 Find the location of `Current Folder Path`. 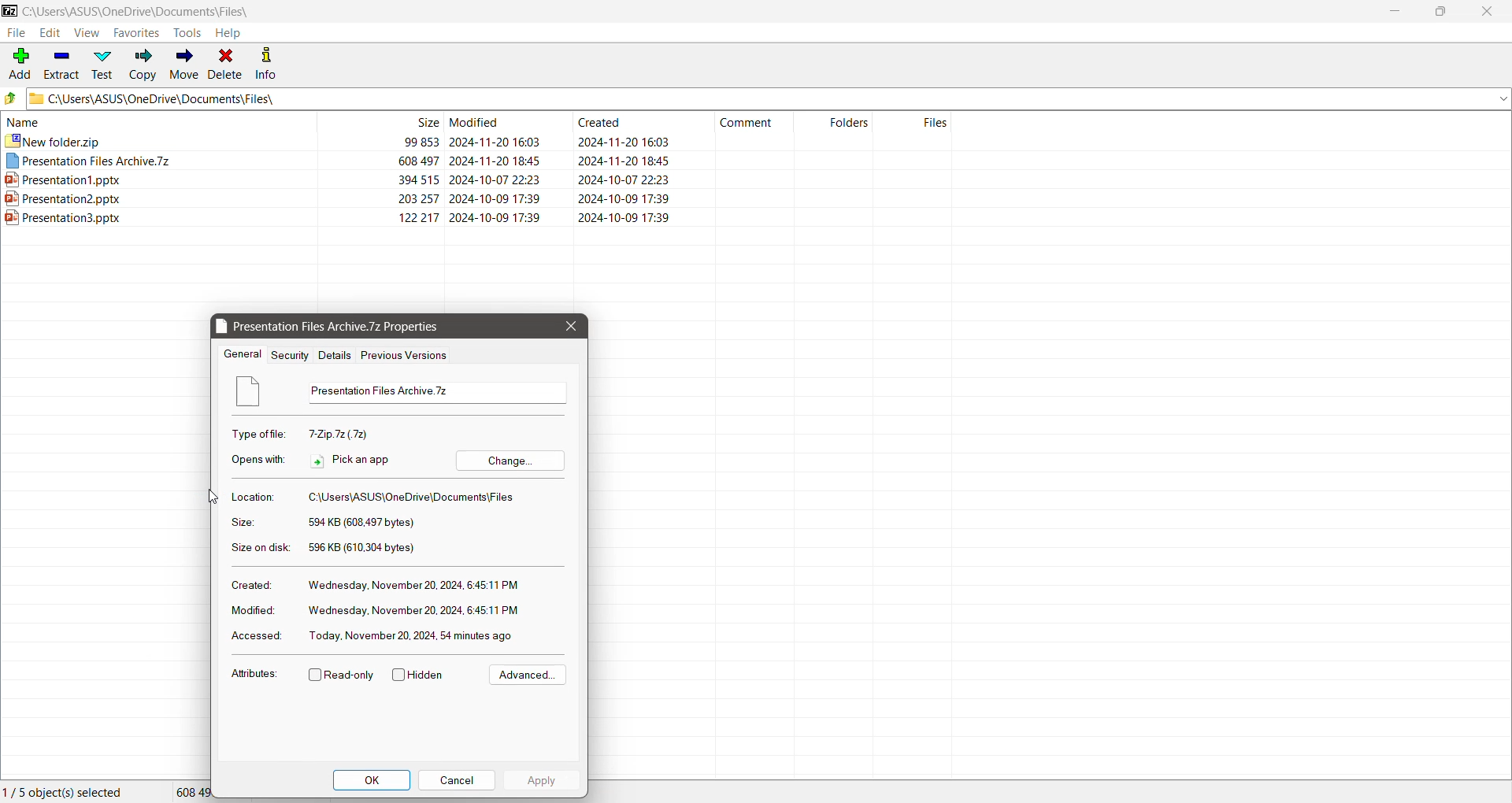

Current Folder Path is located at coordinates (770, 98).